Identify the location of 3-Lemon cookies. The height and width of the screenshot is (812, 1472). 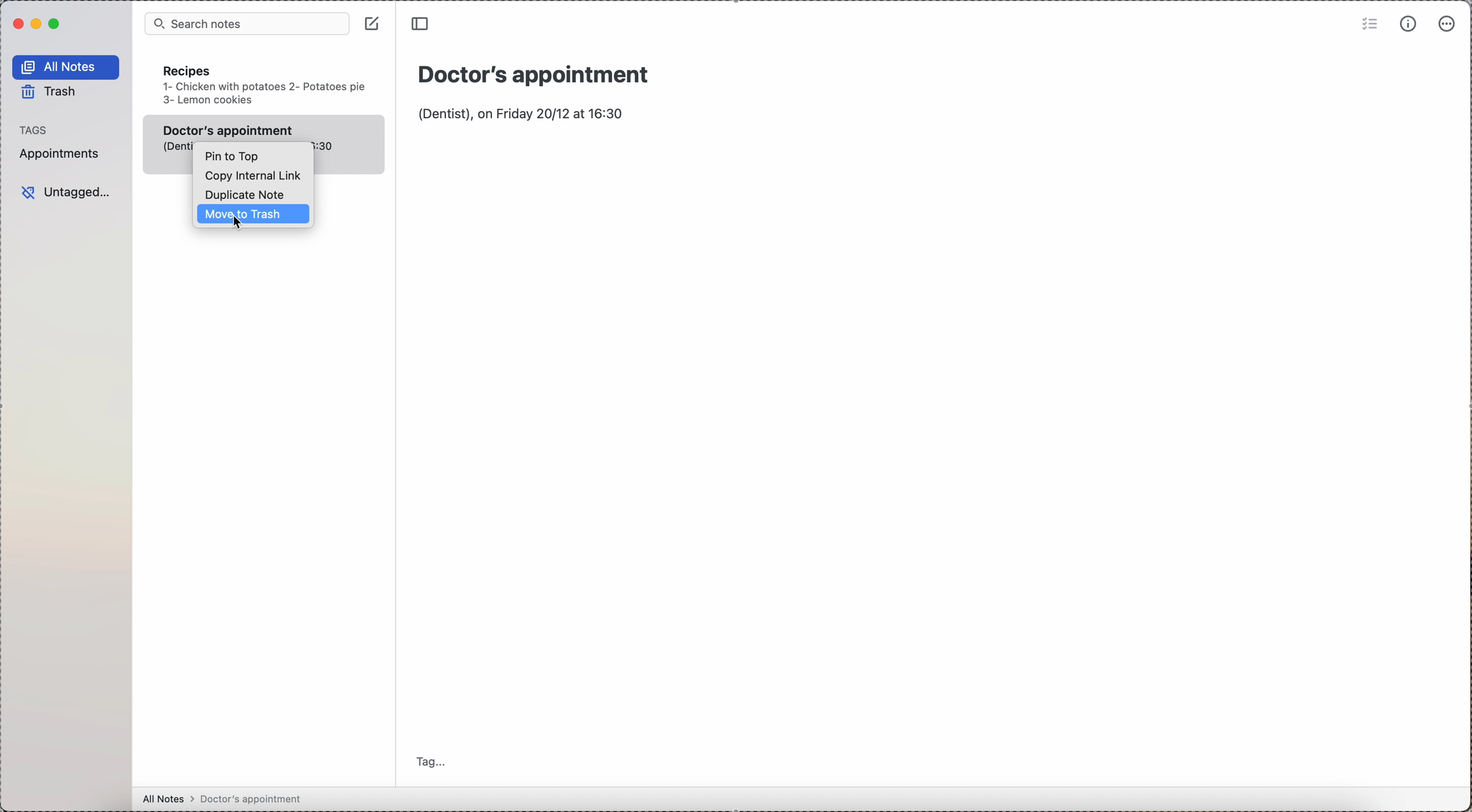
(209, 100).